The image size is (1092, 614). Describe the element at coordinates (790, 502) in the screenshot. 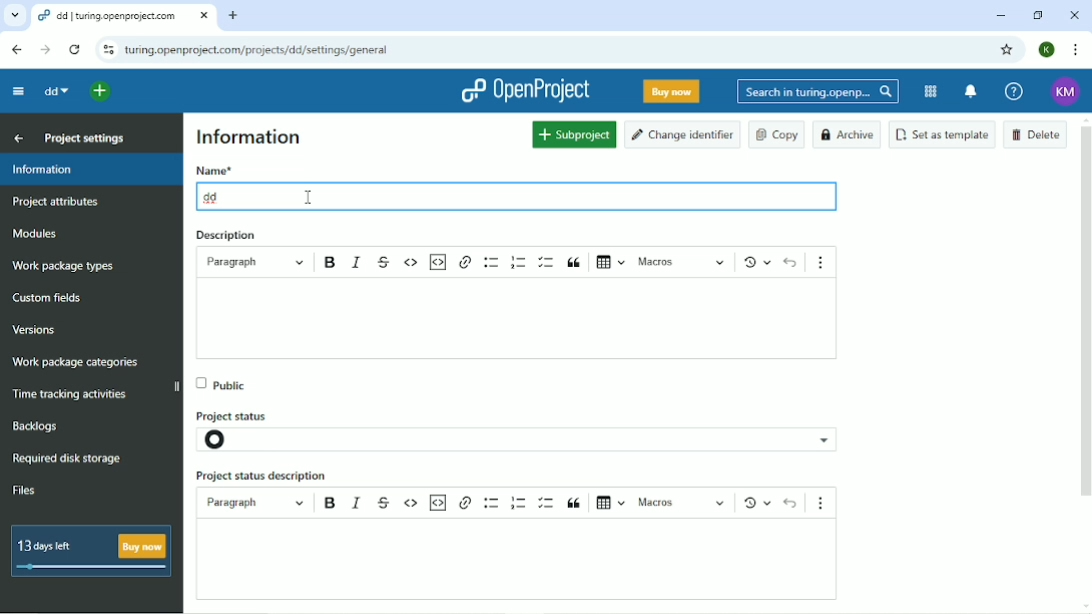

I see `undo` at that location.